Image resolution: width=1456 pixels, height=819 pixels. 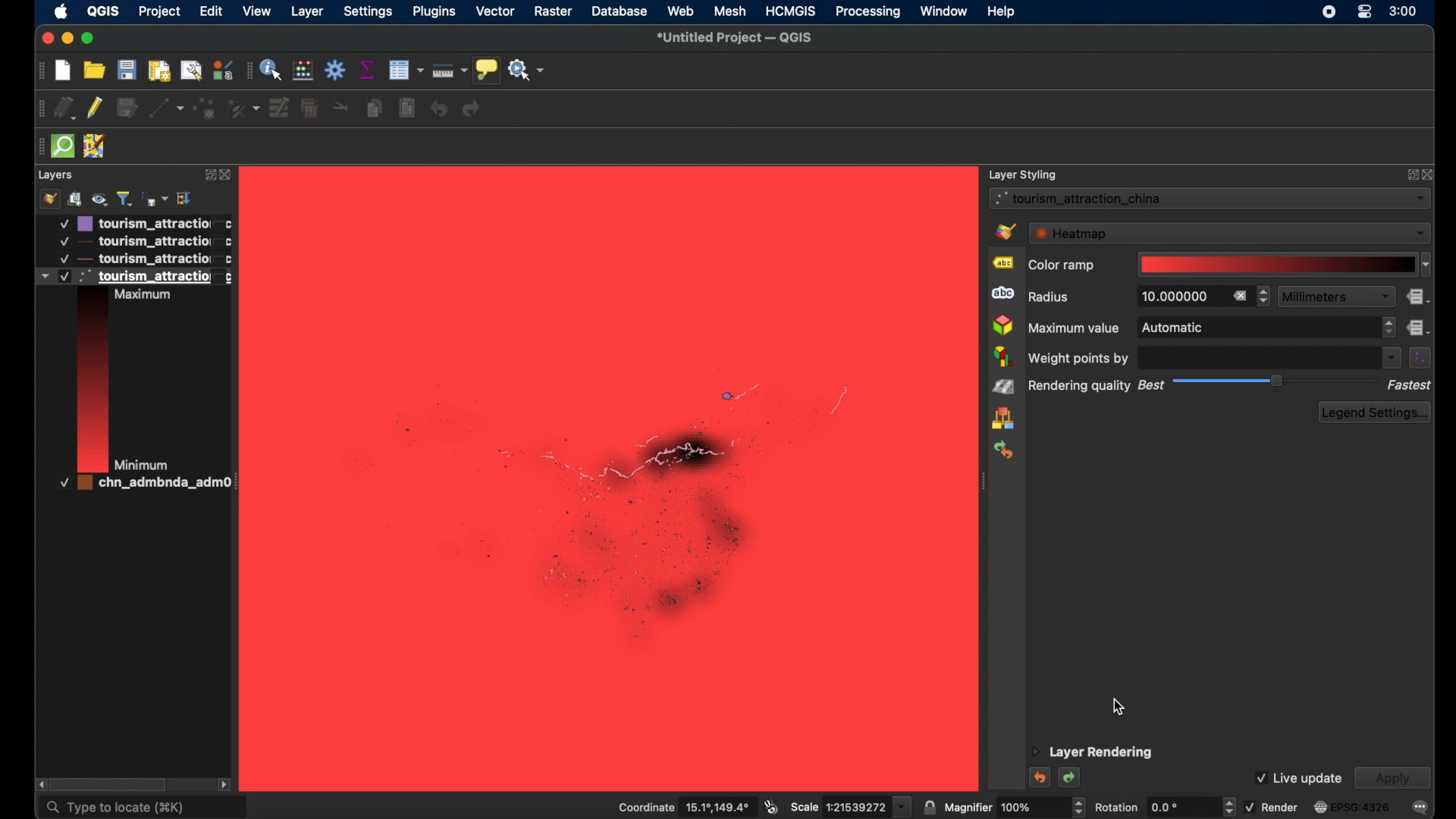 I want to click on help, so click(x=1002, y=12).